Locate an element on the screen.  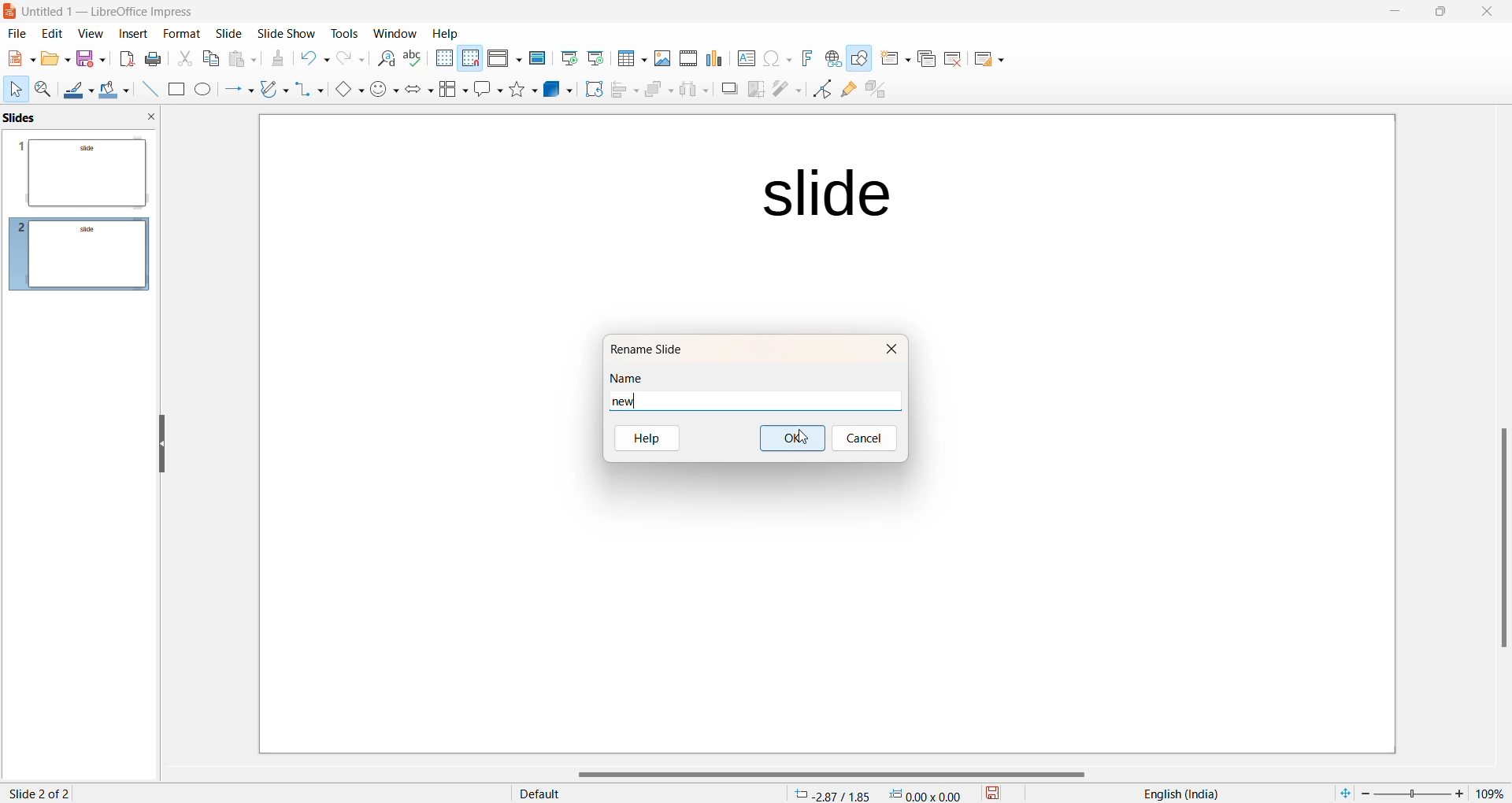
line and arrows is located at coordinates (235, 90).